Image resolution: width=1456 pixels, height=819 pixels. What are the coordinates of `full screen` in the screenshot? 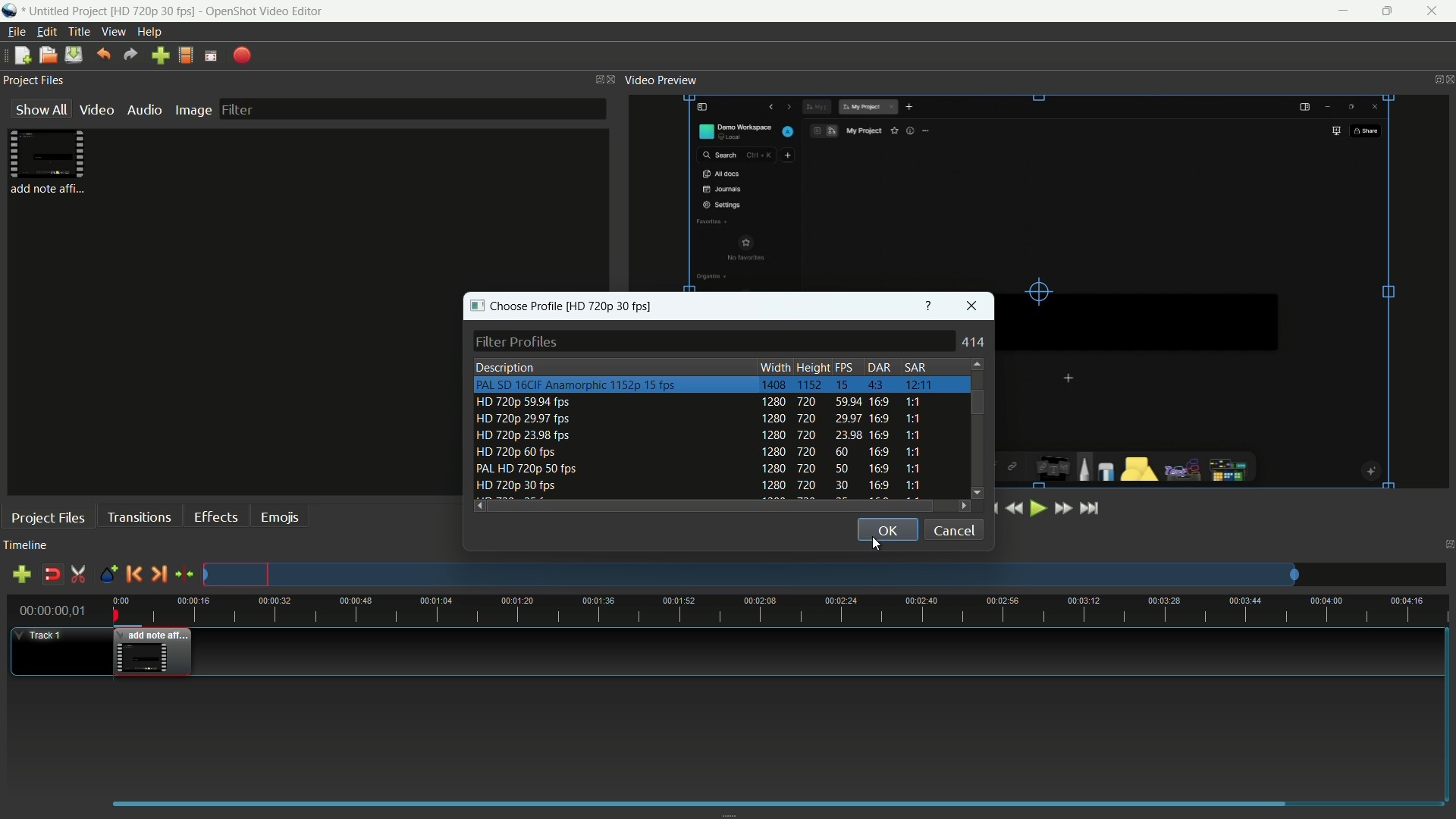 It's located at (211, 56).